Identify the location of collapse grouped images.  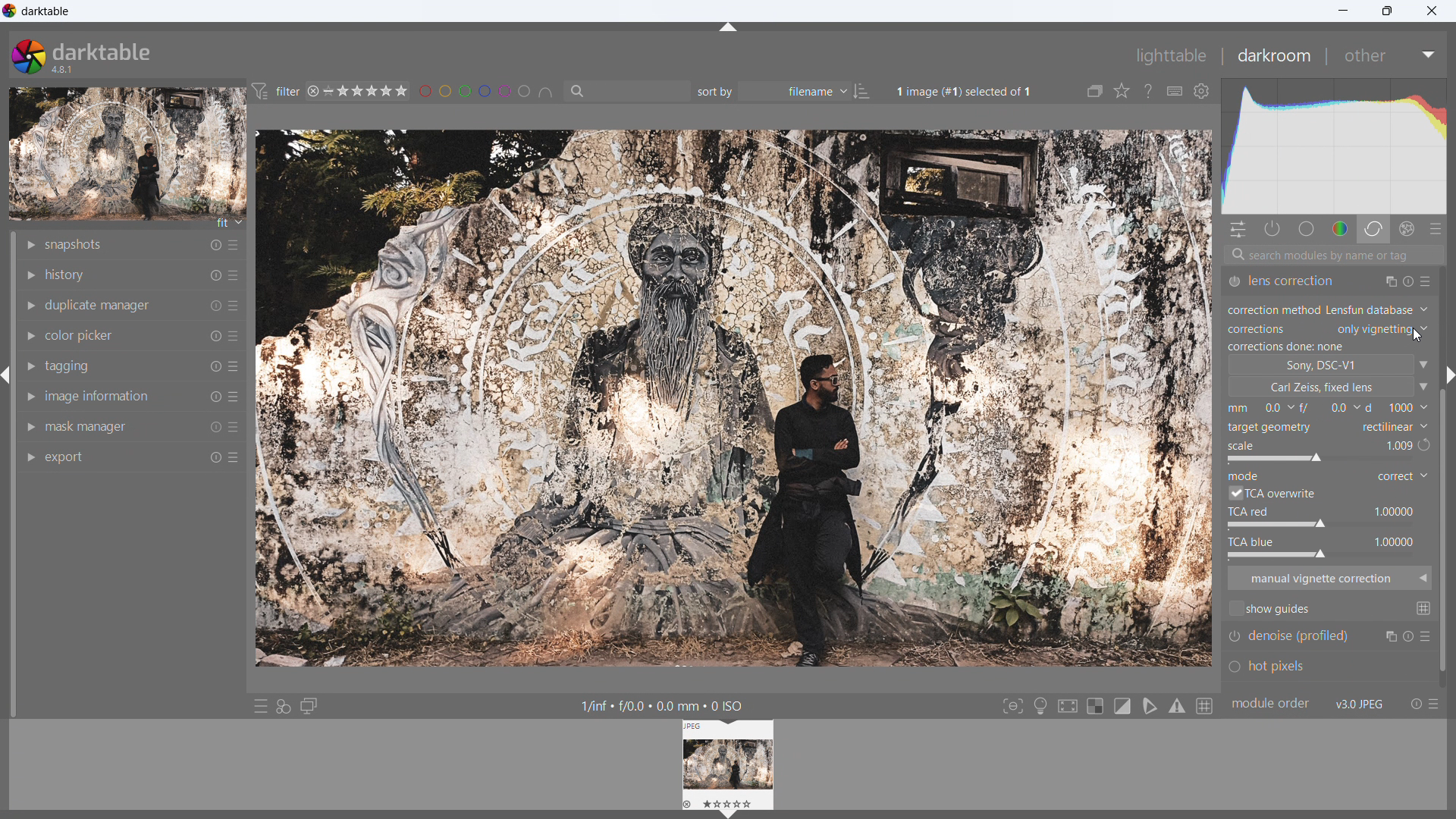
(1096, 91).